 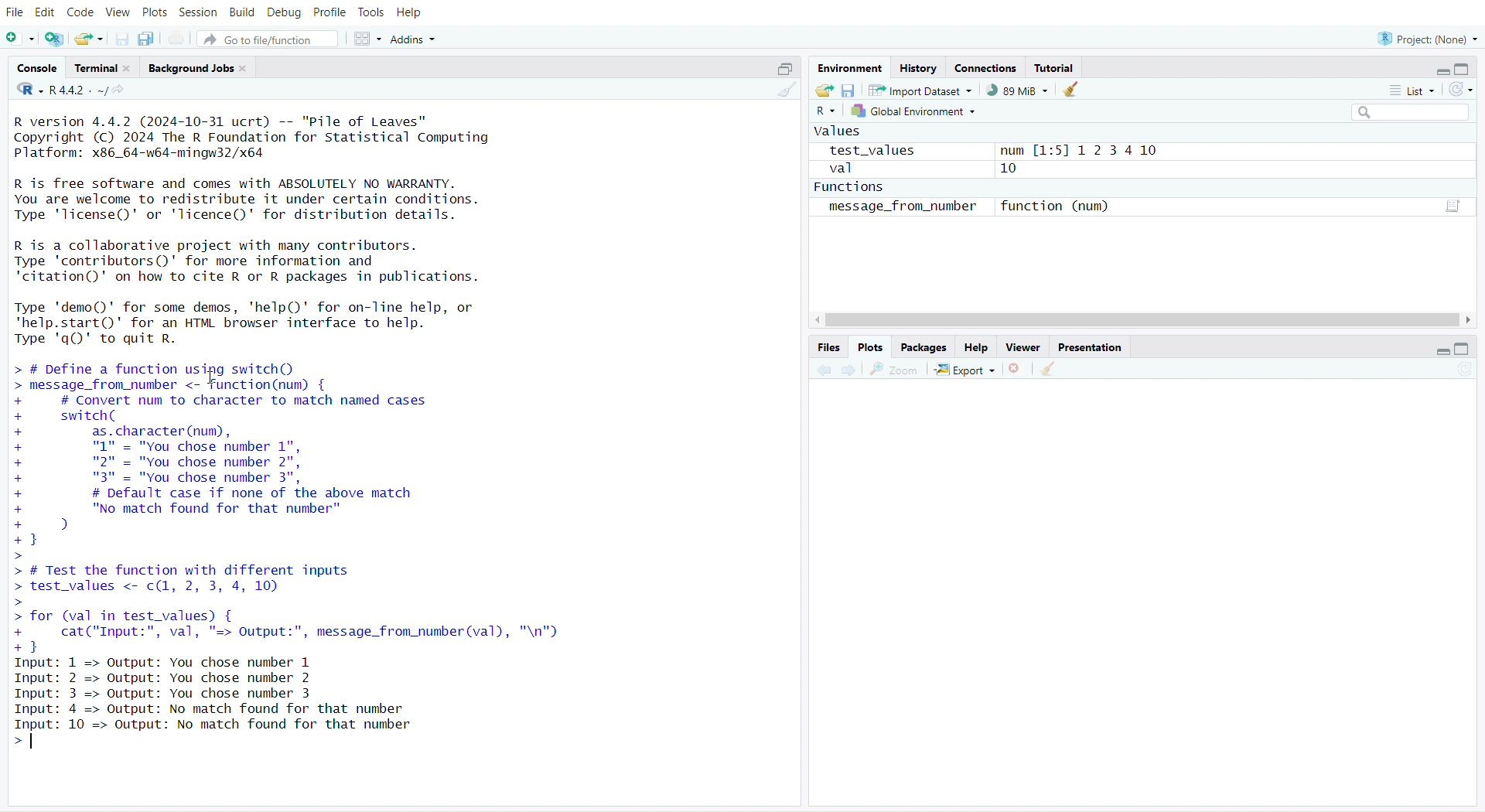 What do you see at coordinates (21, 39) in the screenshot?
I see `New File` at bounding box center [21, 39].